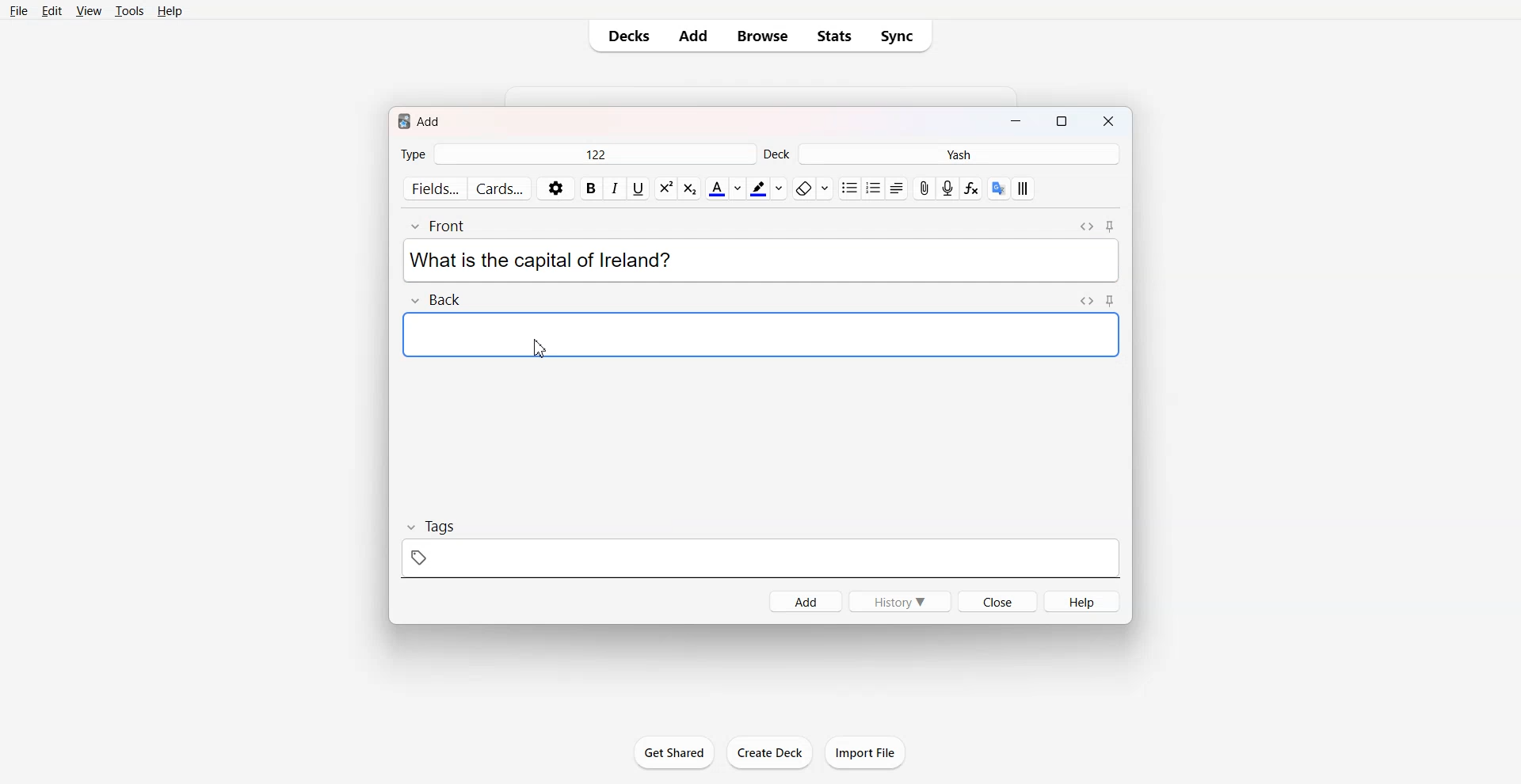 The image size is (1521, 784). I want to click on Highlight Text Color, so click(767, 188).